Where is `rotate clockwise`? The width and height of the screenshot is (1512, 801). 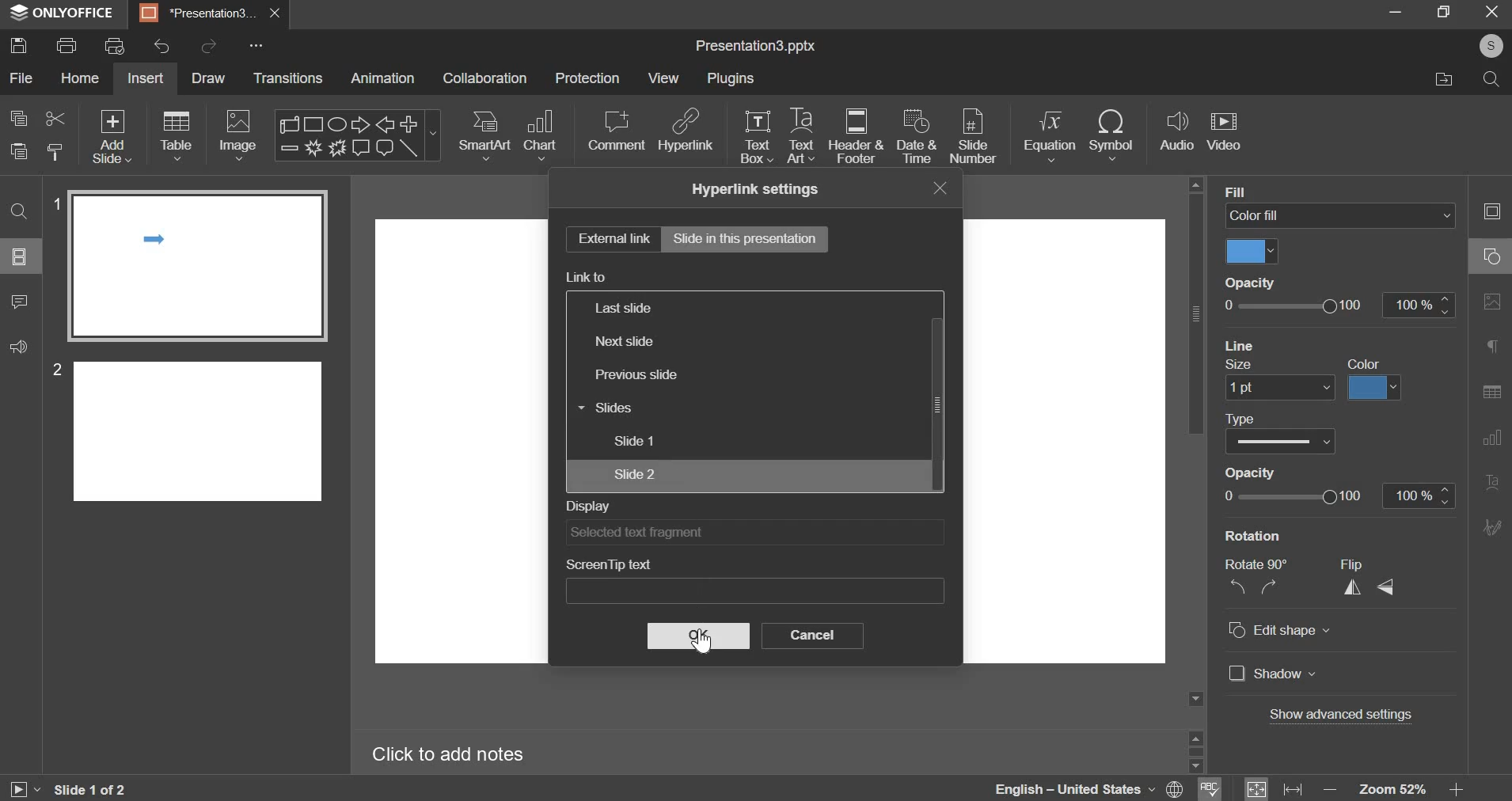 rotate clockwise is located at coordinates (1267, 586).